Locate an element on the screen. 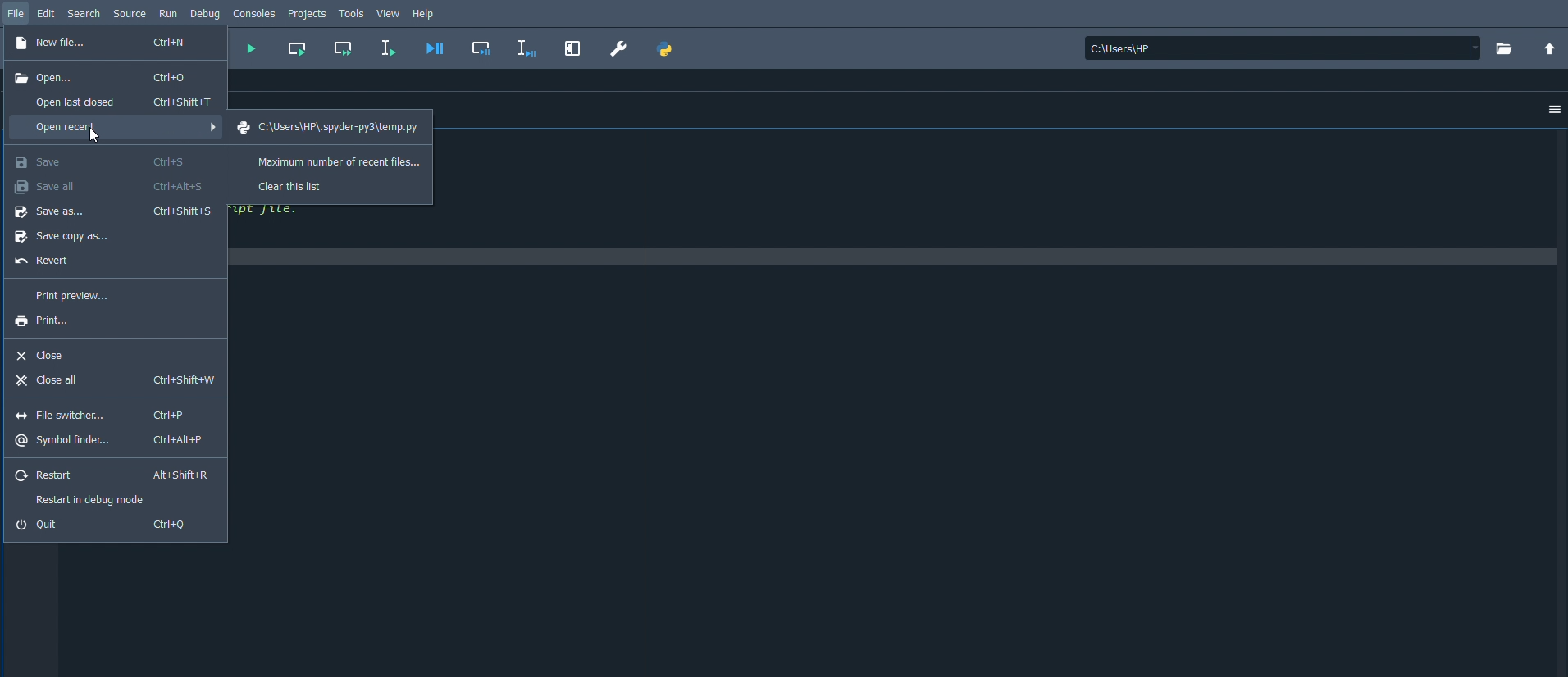 The width and height of the screenshot is (1568, 677). Tools is located at coordinates (353, 12).